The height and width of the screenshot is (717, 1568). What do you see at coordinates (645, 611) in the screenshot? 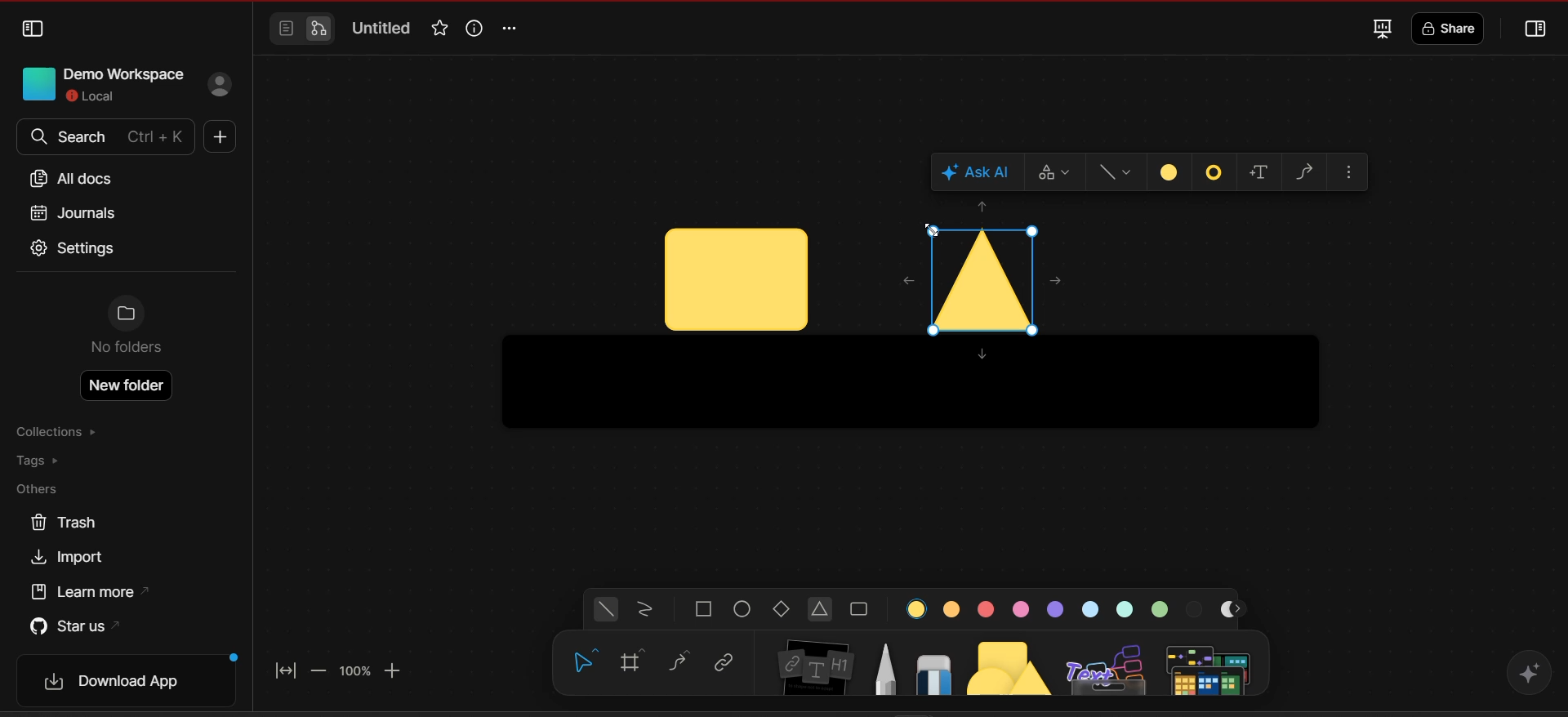
I see `scribbled` at bounding box center [645, 611].